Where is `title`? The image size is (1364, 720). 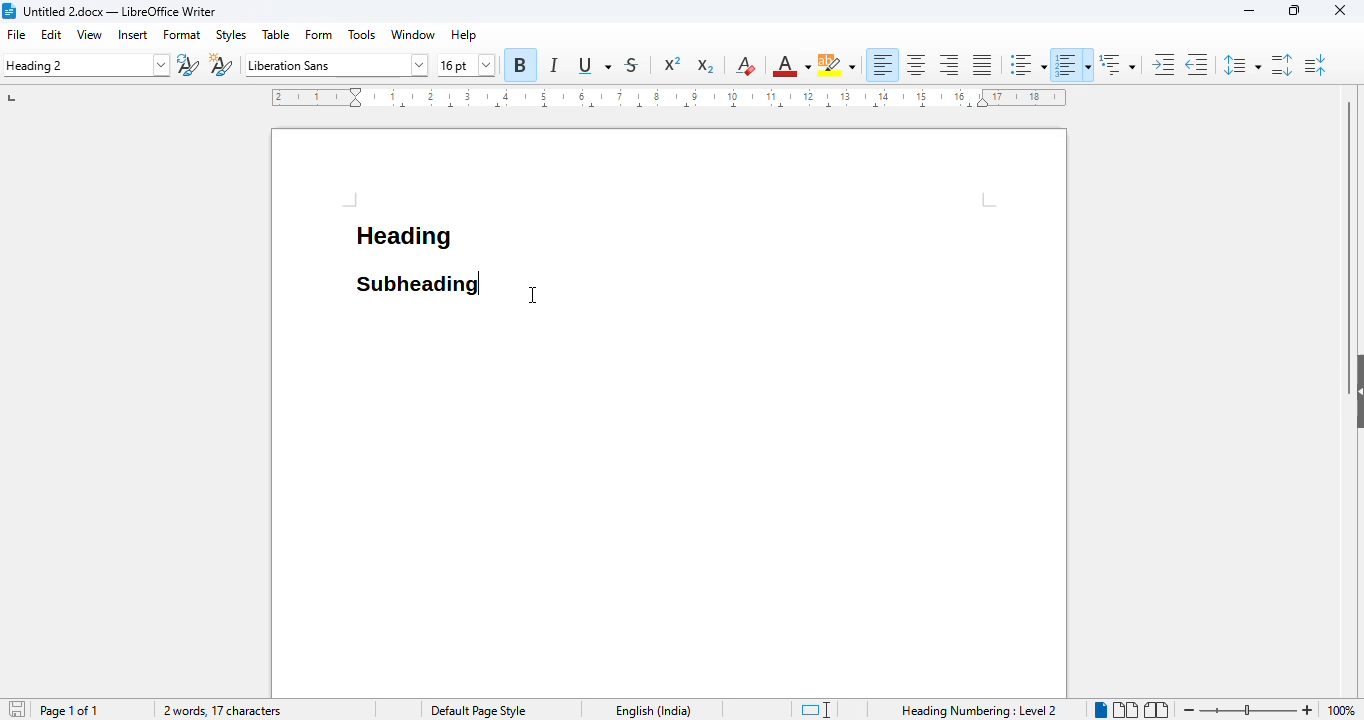
title is located at coordinates (120, 11).